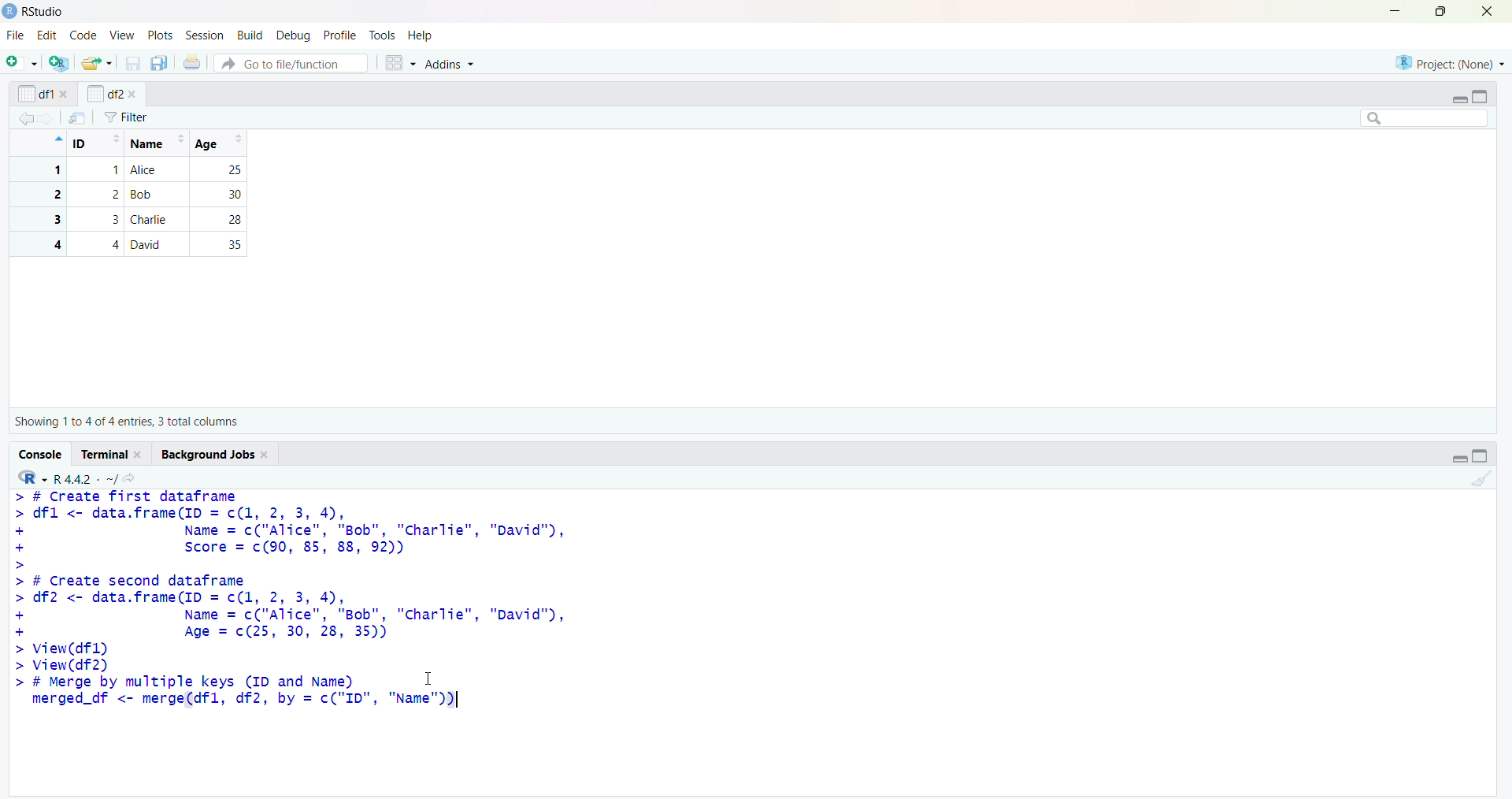 The width and height of the screenshot is (1512, 799). What do you see at coordinates (208, 35) in the screenshot?
I see `session` at bounding box center [208, 35].